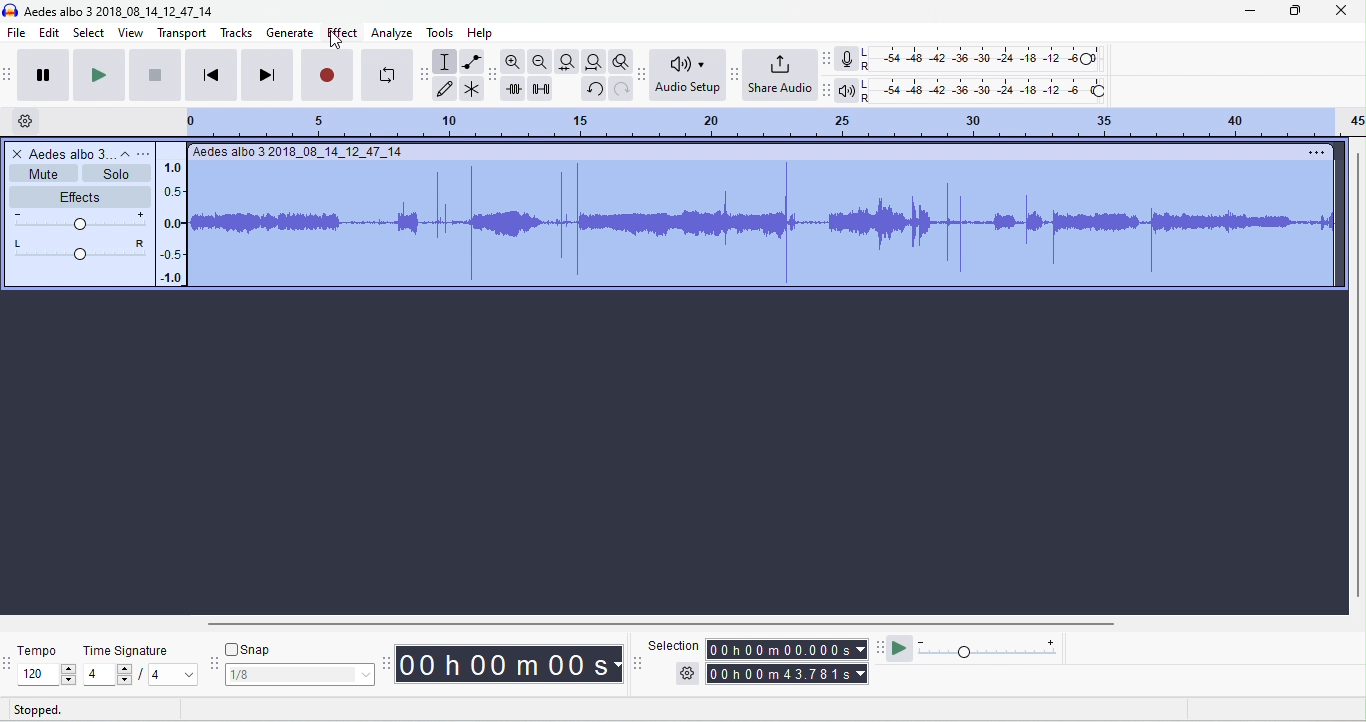  Describe the element at coordinates (994, 89) in the screenshot. I see `playback level` at that location.